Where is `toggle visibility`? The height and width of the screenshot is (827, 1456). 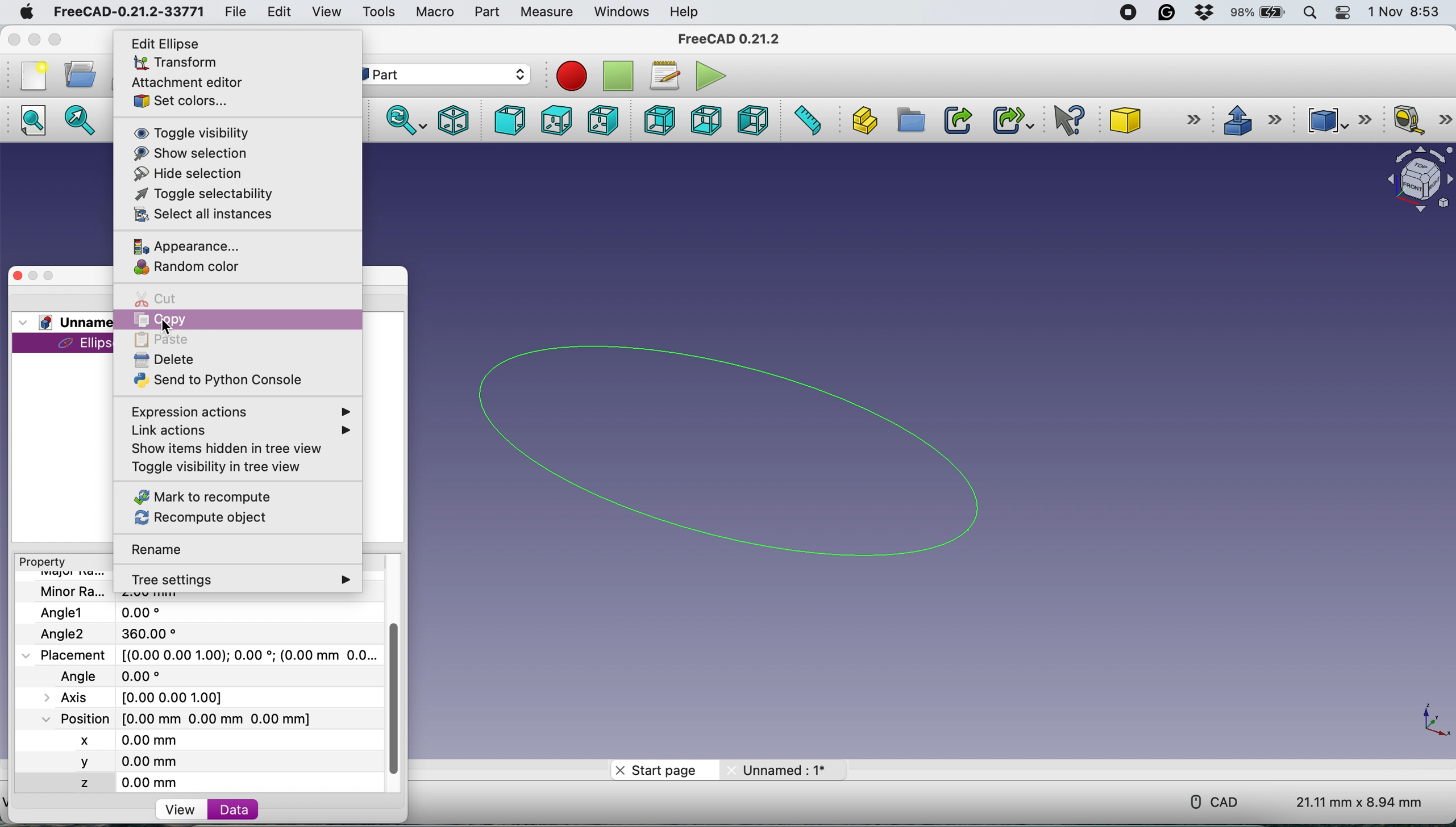 toggle visibility is located at coordinates (195, 133).